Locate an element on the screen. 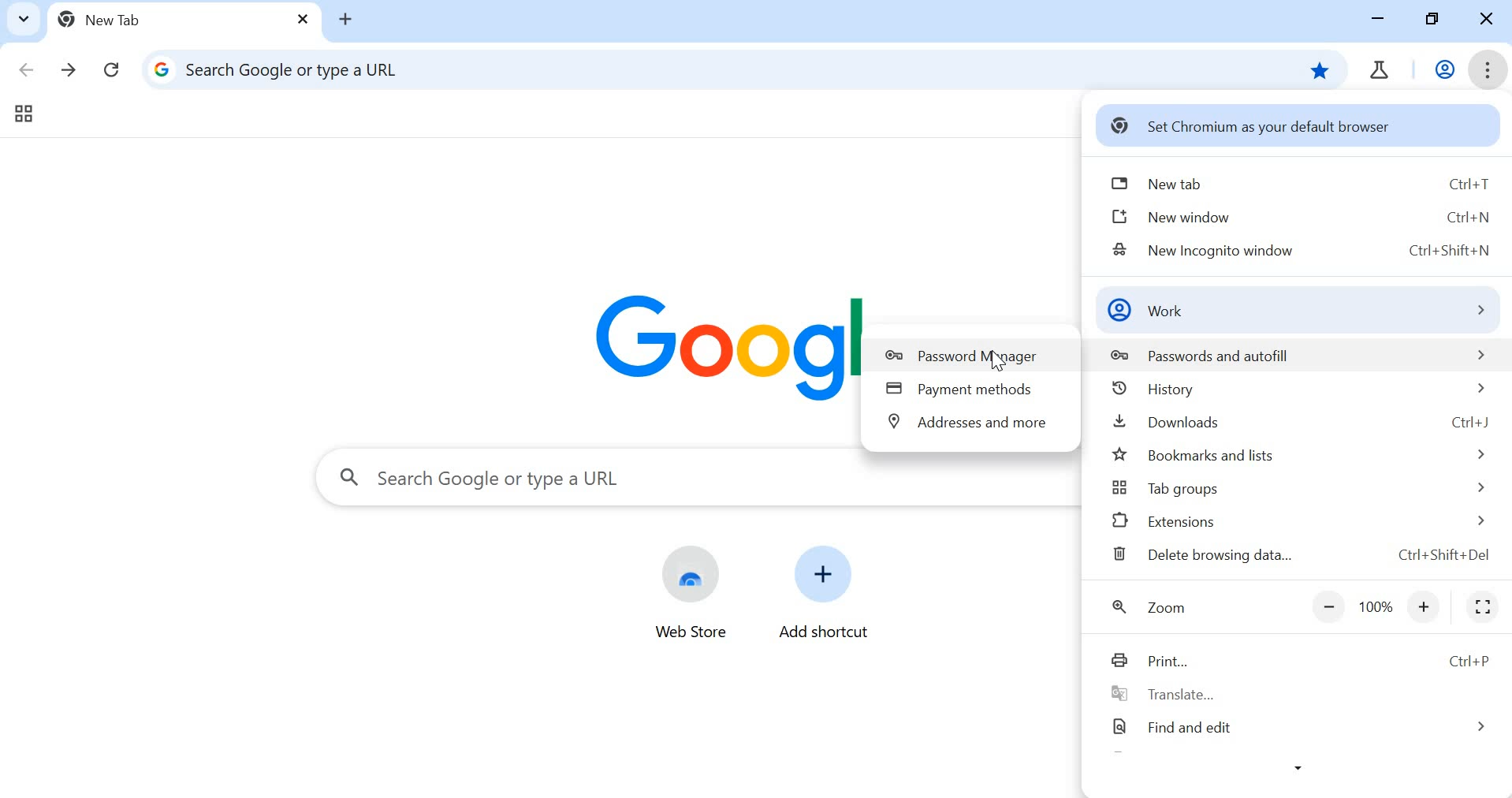 Image resolution: width=1512 pixels, height=798 pixels. new window is located at coordinates (1303, 216).